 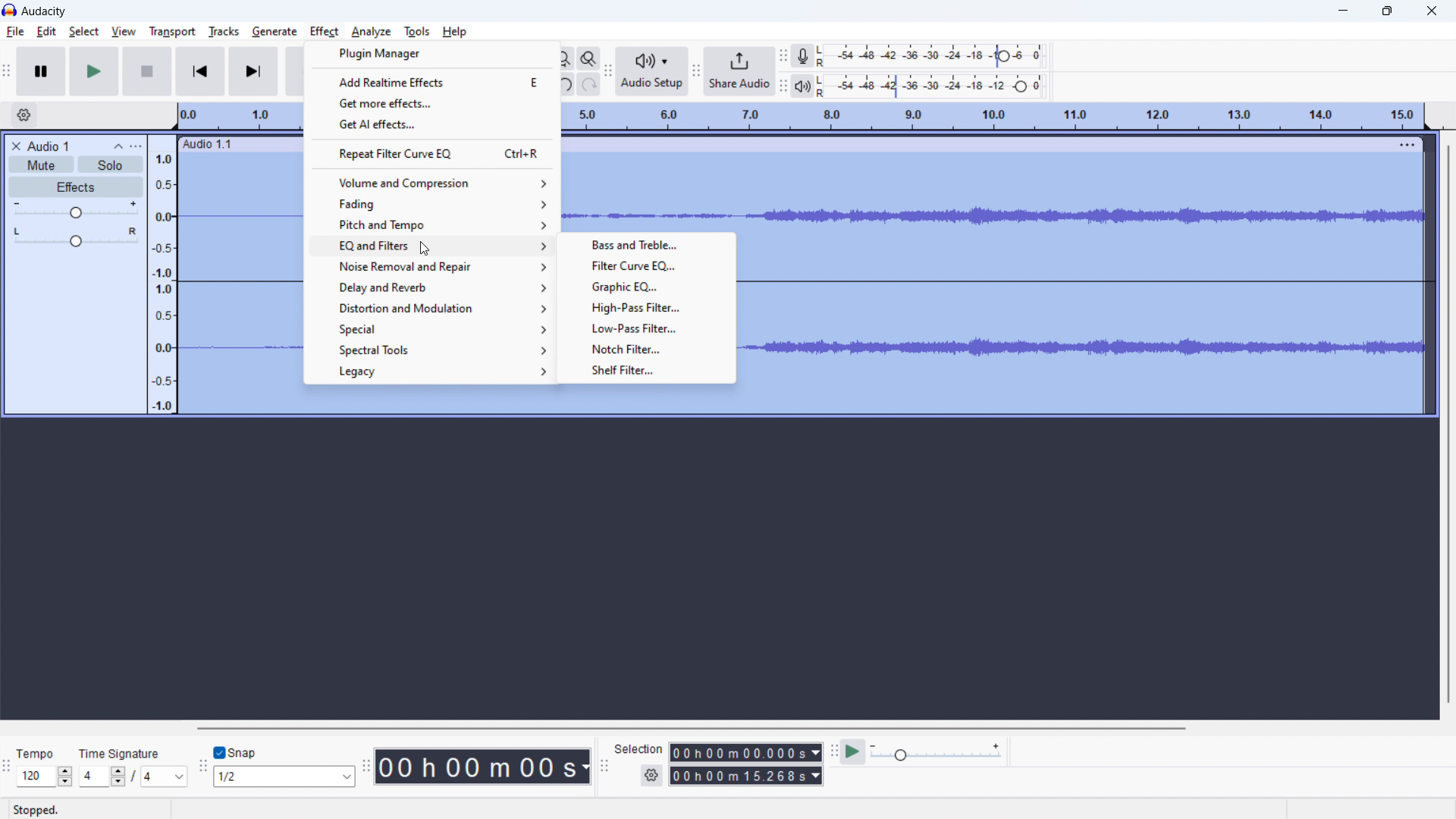 What do you see at coordinates (603, 765) in the screenshot?
I see `selection toolbar` at bounding box center [603, 765].